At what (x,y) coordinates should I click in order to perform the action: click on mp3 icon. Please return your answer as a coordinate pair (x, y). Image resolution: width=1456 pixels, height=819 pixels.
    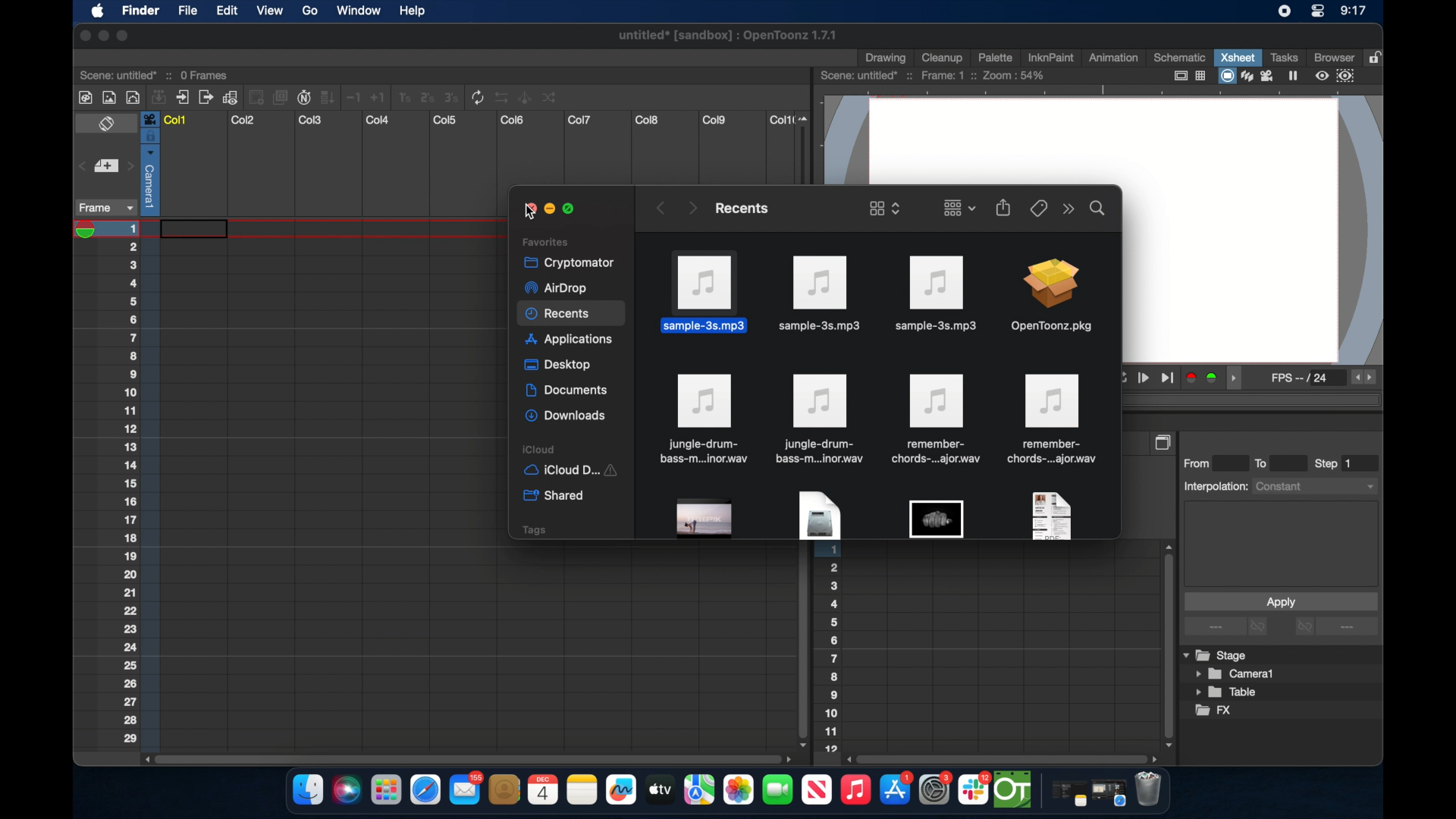
    Looking at the image, I should click on (821, 294).